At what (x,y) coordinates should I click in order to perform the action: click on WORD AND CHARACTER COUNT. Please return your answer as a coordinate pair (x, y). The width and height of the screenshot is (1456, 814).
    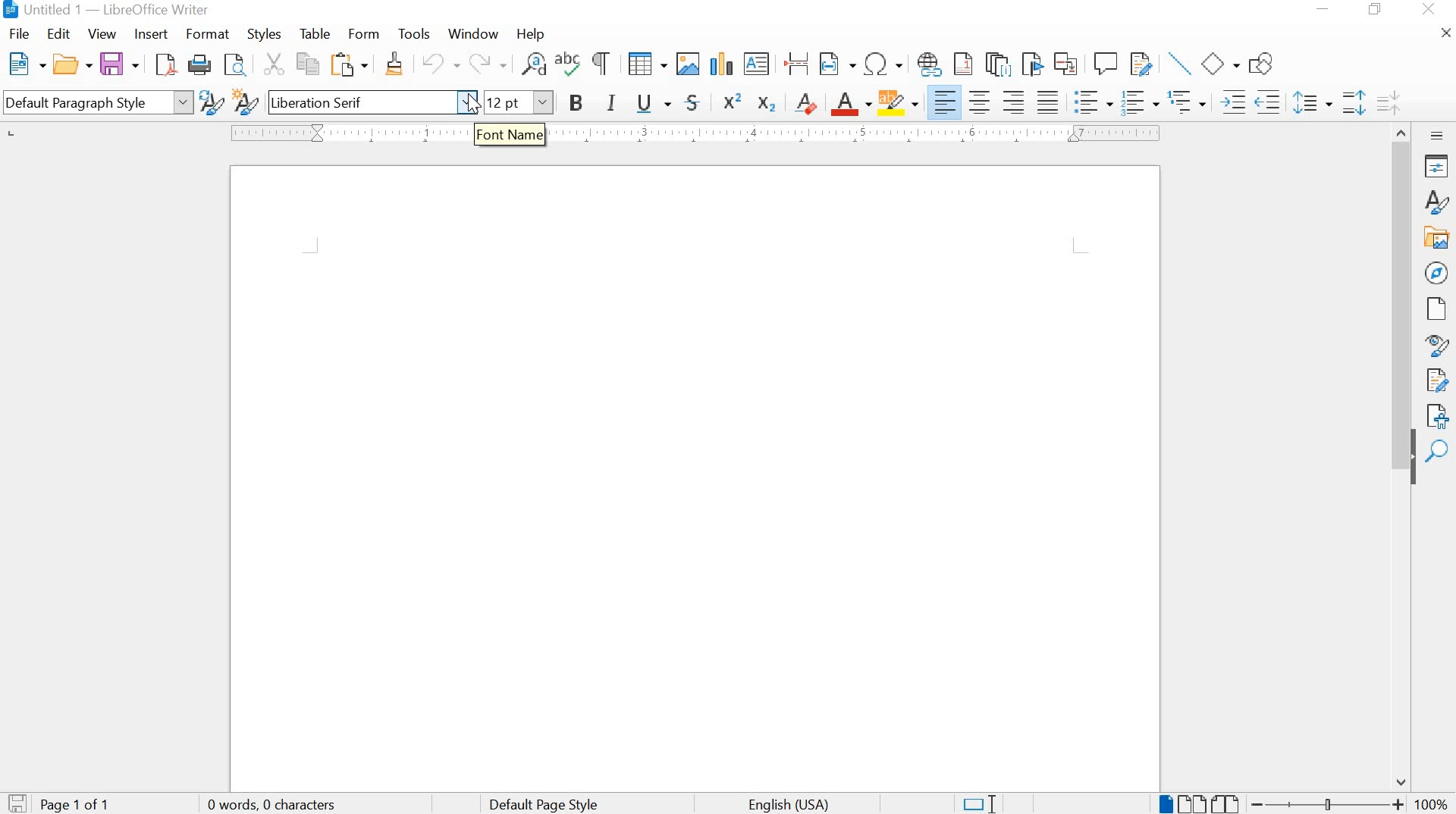
    Looking at the image, I should click on (277, 805).